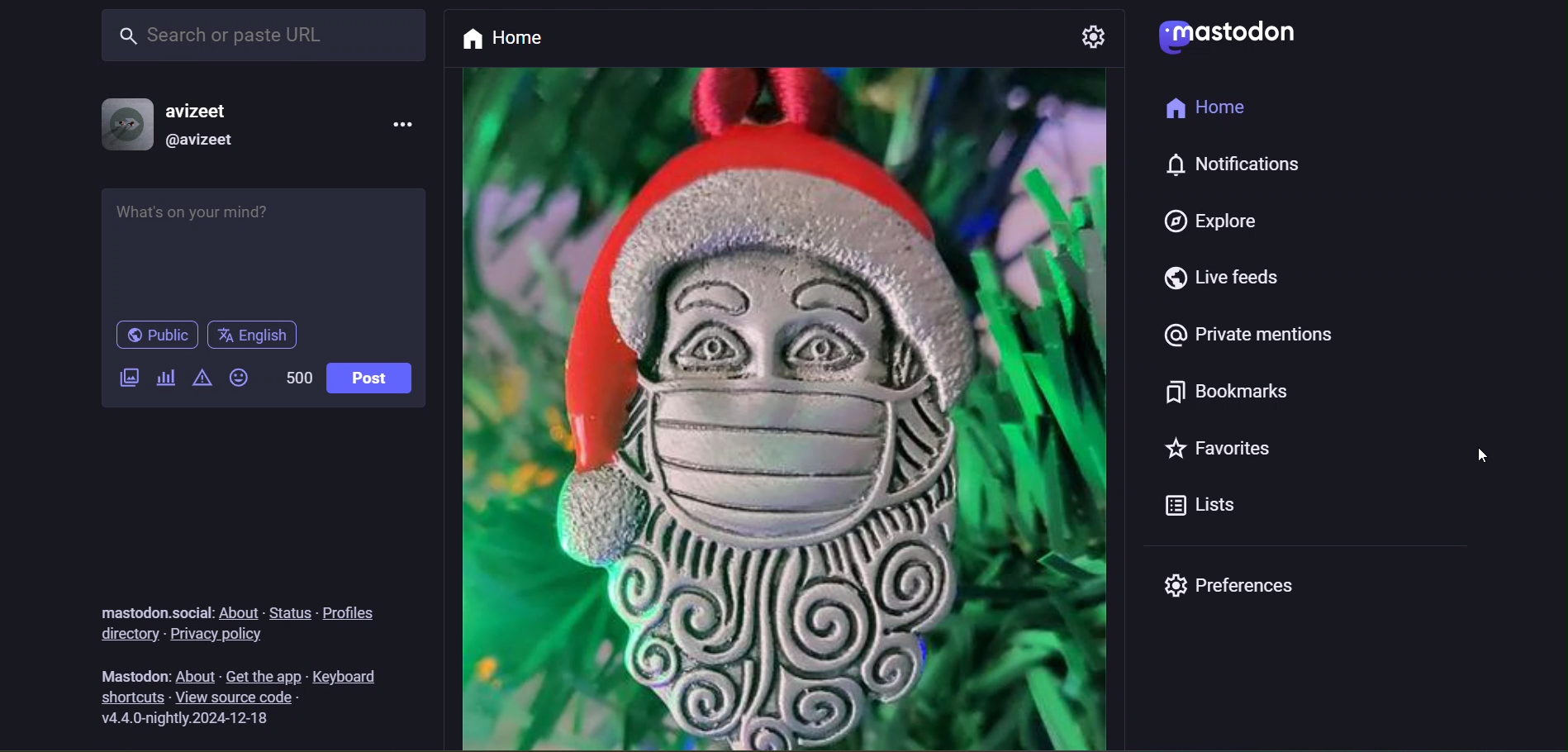 This screenshot has width=1568, height=752. I want to click on privacy policy, so click(230, 635).